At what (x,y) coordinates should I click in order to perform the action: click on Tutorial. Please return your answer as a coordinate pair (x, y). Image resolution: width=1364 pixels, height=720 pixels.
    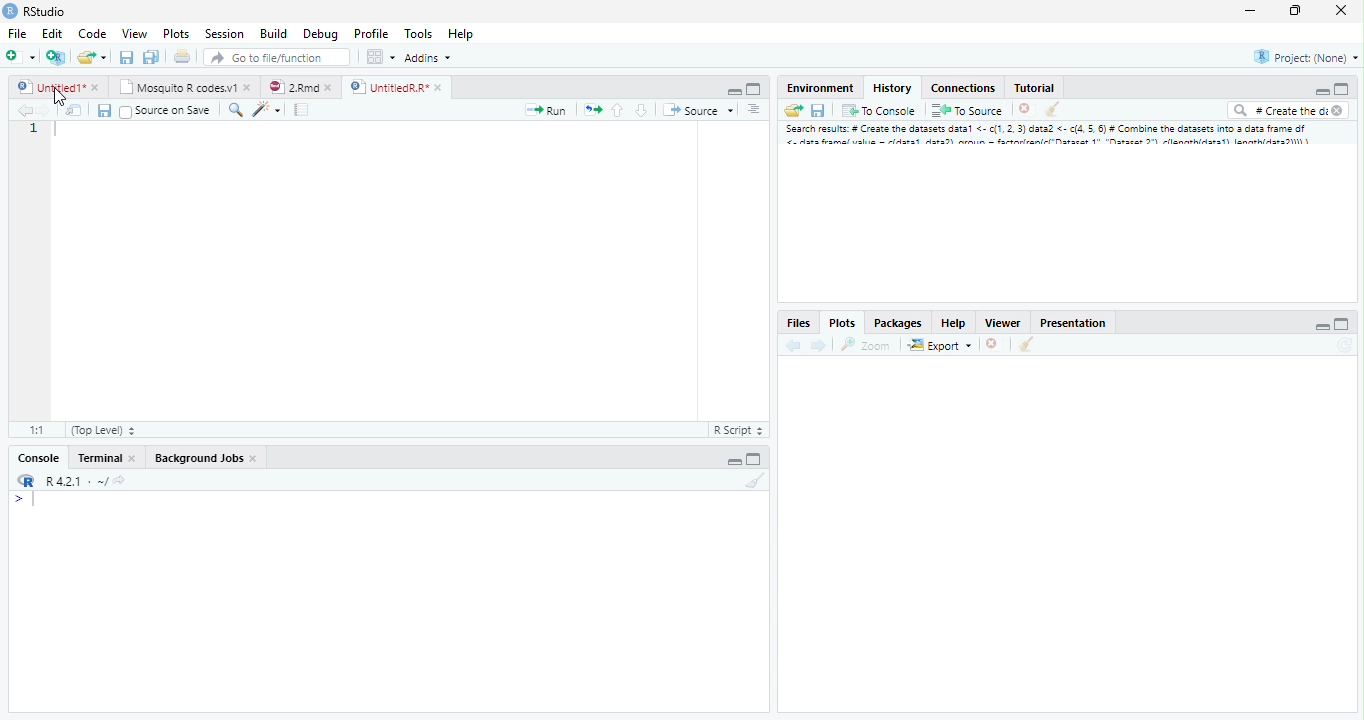
    Looking at the image, I should click on (1035, 88).